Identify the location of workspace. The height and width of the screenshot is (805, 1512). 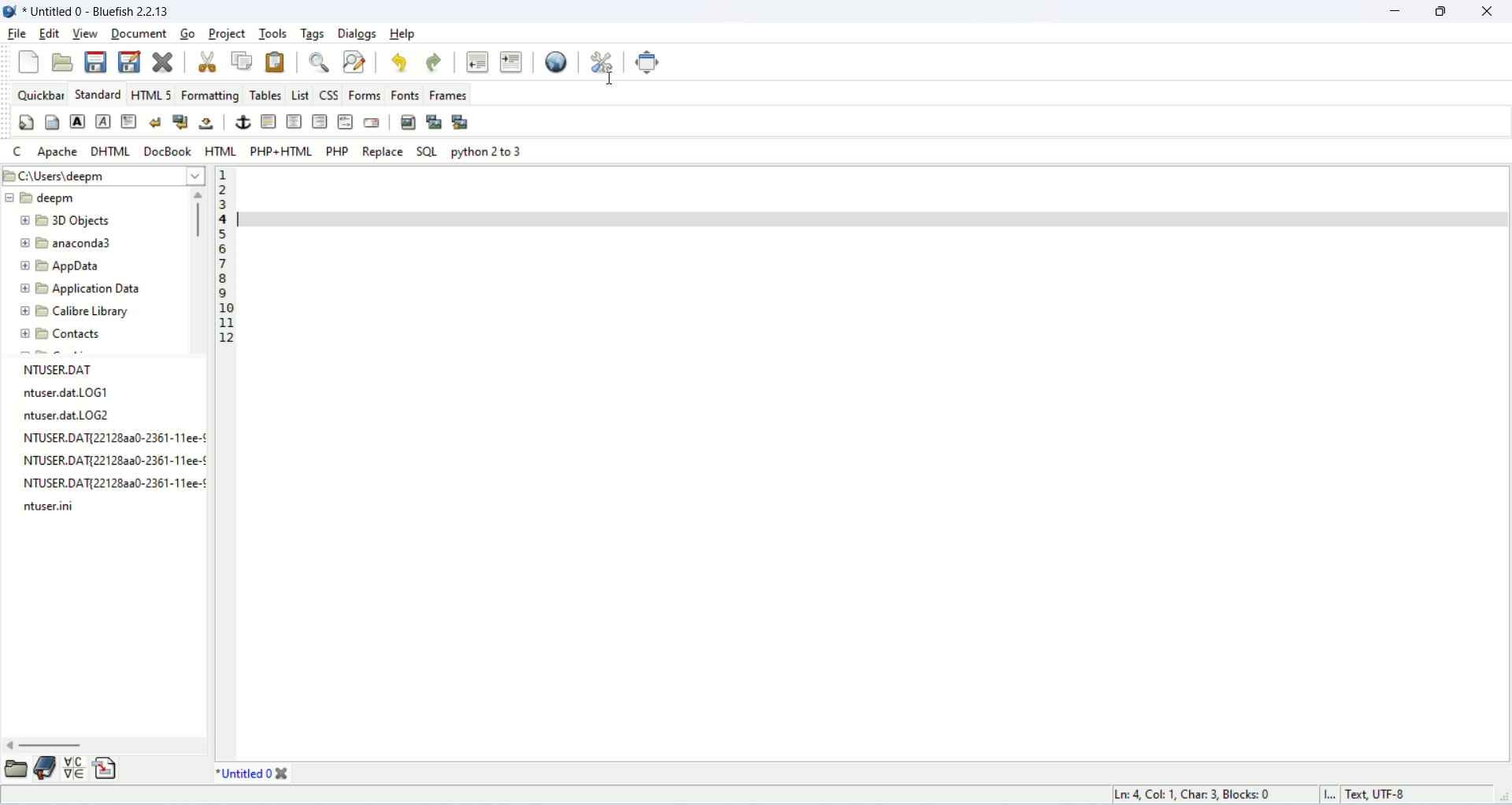
(836, 454).